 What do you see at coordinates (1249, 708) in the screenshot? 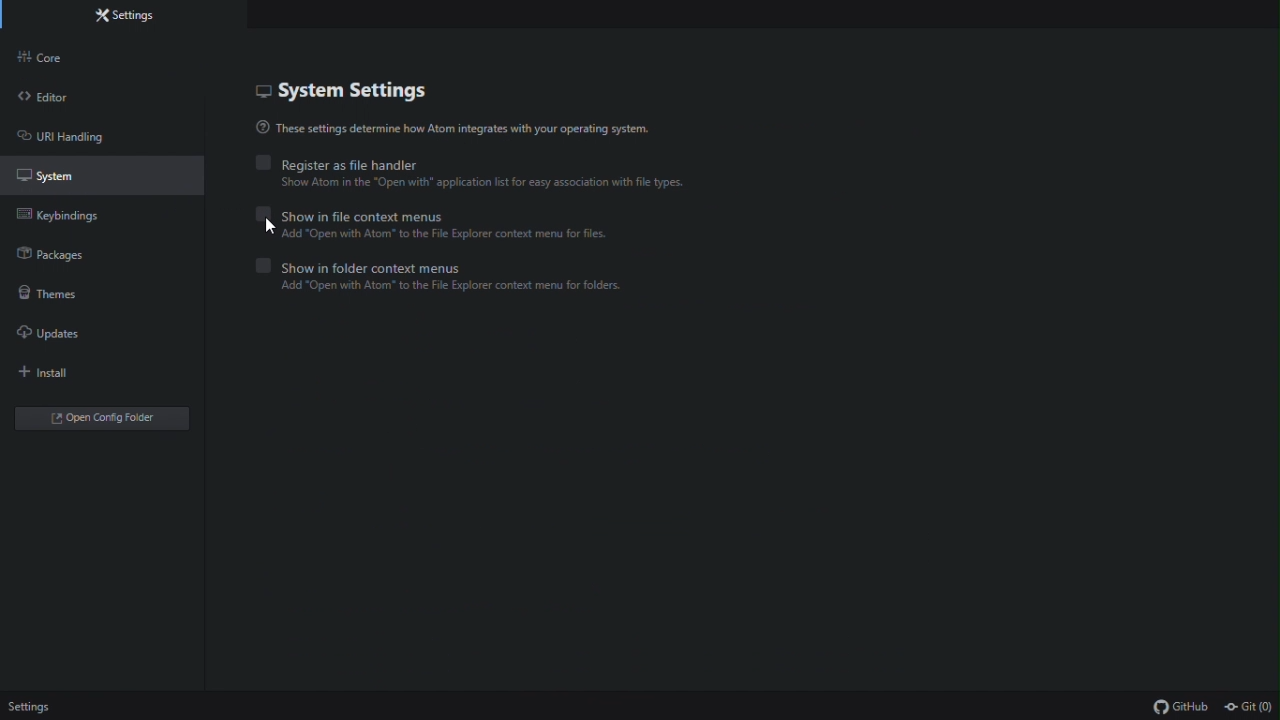
I see `git` at bounding box center [1249, 708].